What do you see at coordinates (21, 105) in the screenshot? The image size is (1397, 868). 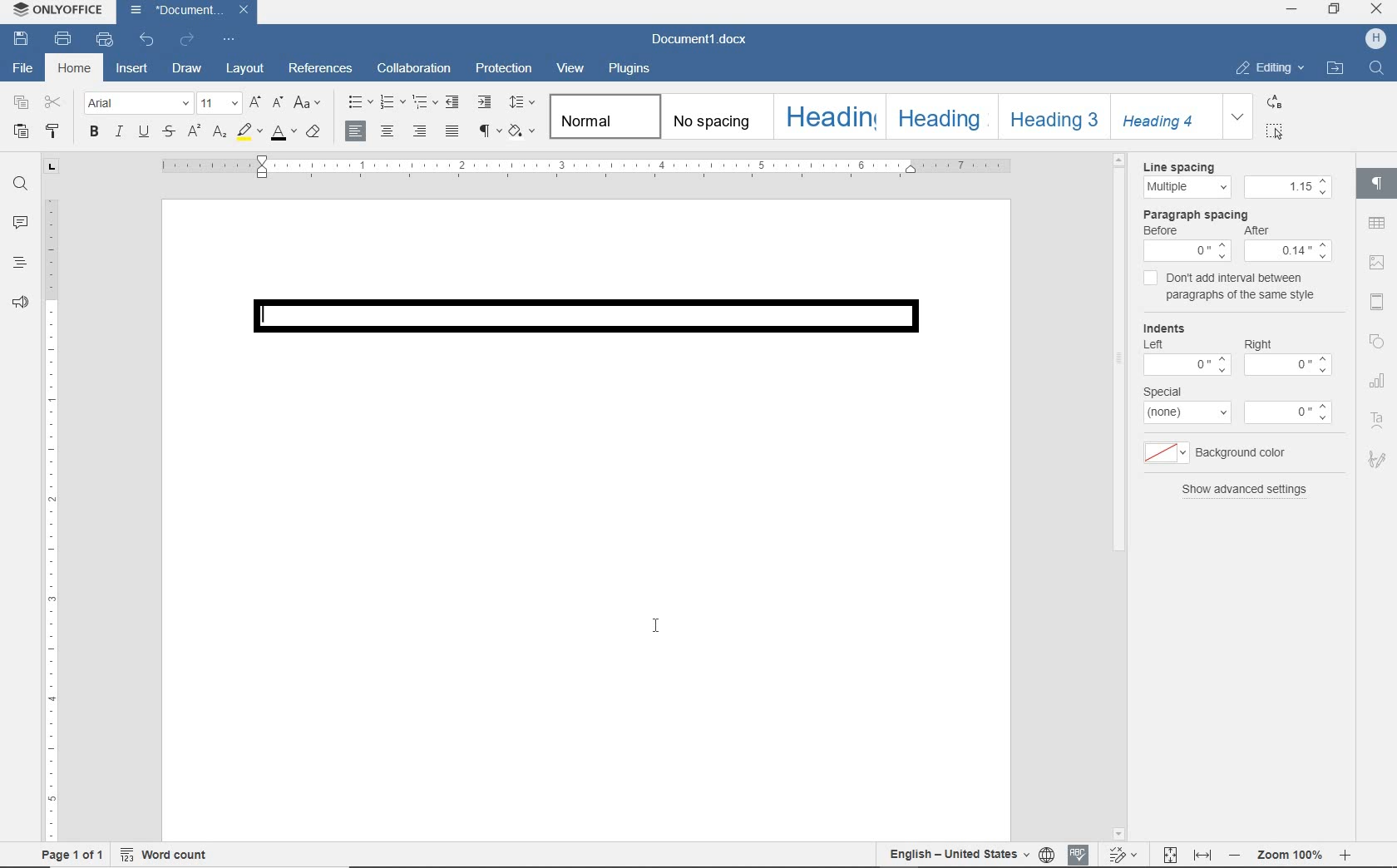 I see `copy` at bounding box center [21, 105].